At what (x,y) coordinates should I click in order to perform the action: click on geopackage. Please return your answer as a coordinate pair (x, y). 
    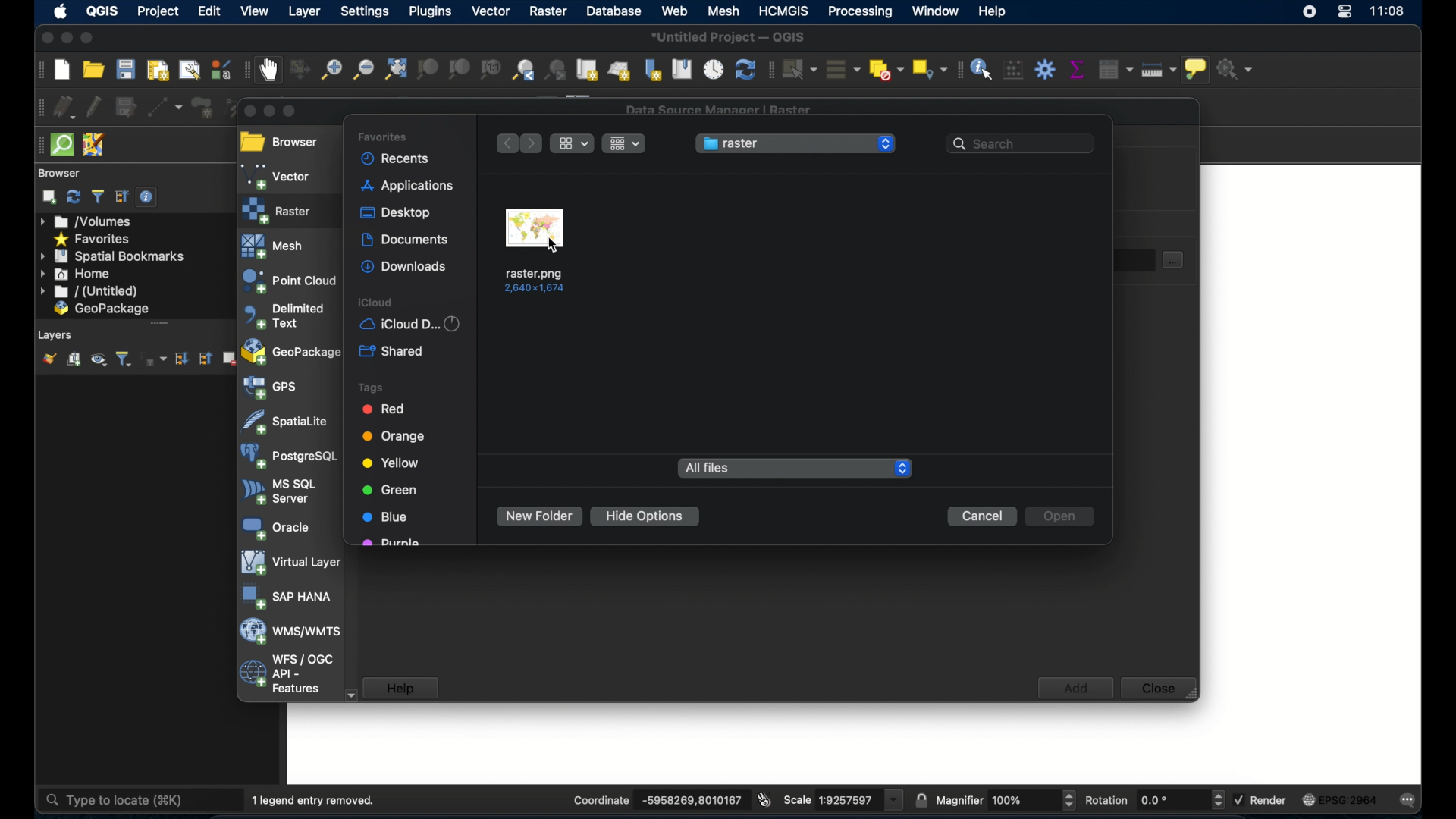
    Looking at the image, I should click on (289, 350).